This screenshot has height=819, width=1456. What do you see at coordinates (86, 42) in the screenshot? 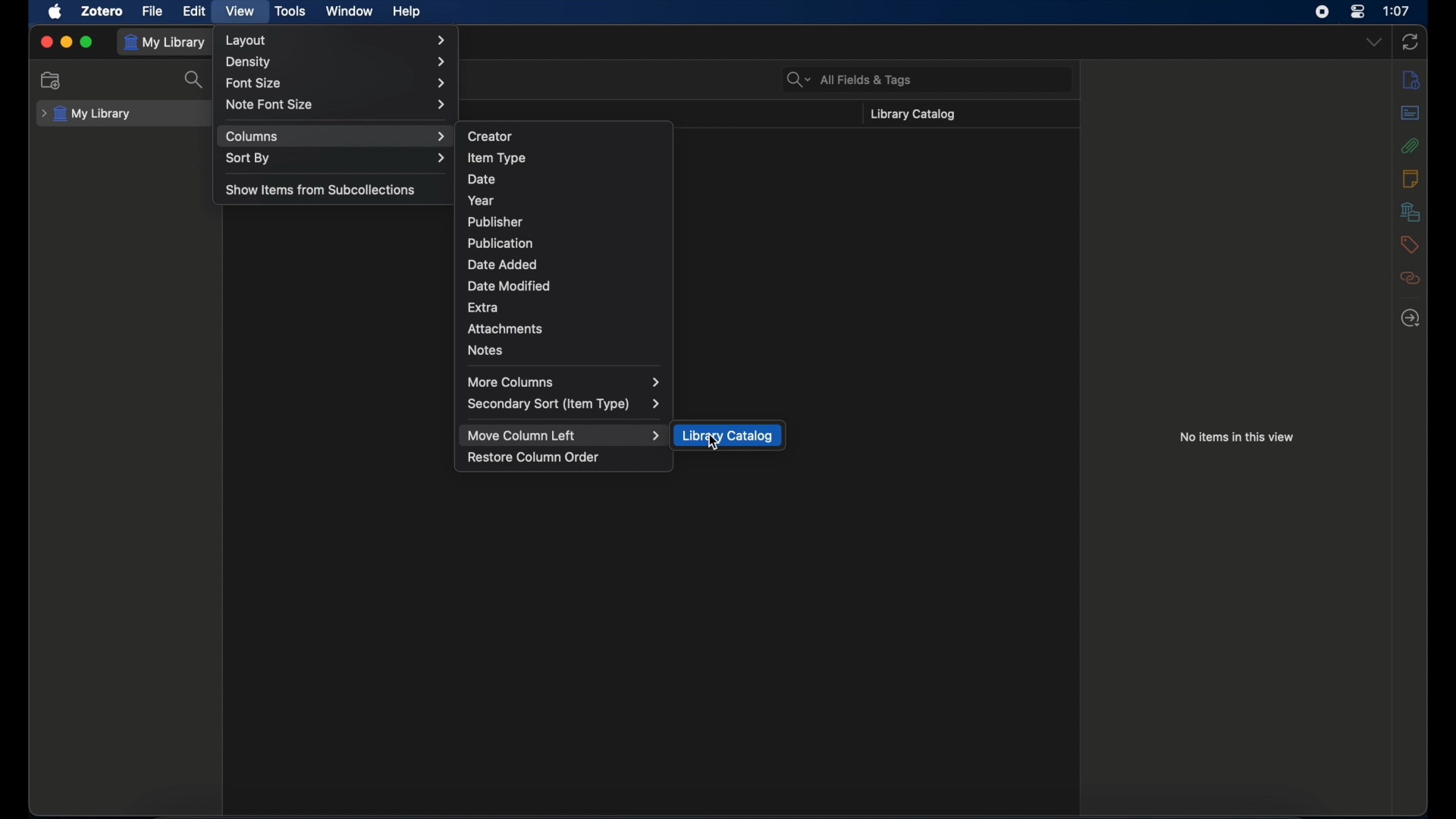
I see `maximize` at bounding box center [86, 42].